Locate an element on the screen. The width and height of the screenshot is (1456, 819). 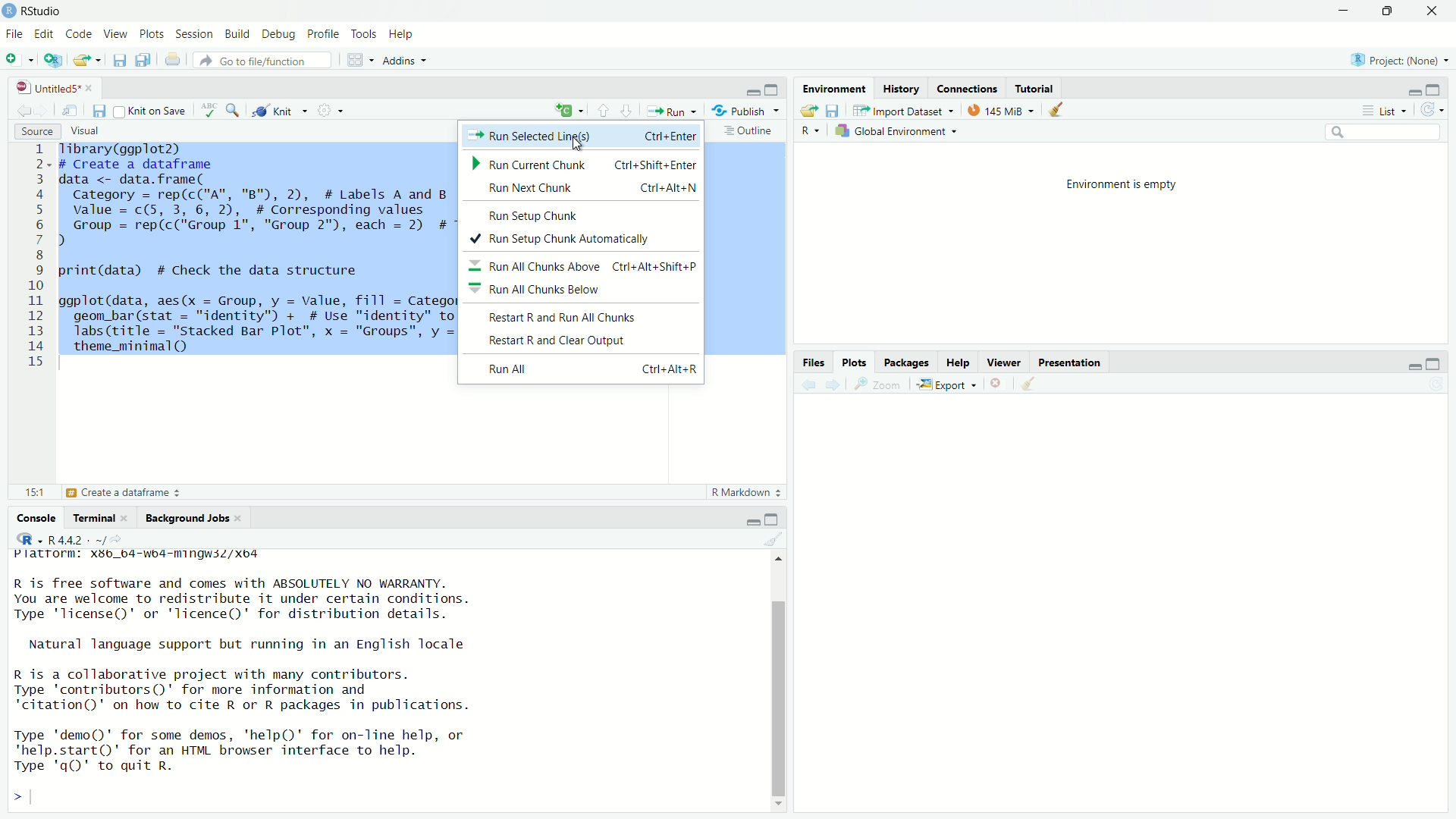
Clear console (Ctrl + L) is located at coordinates (1029, 385).